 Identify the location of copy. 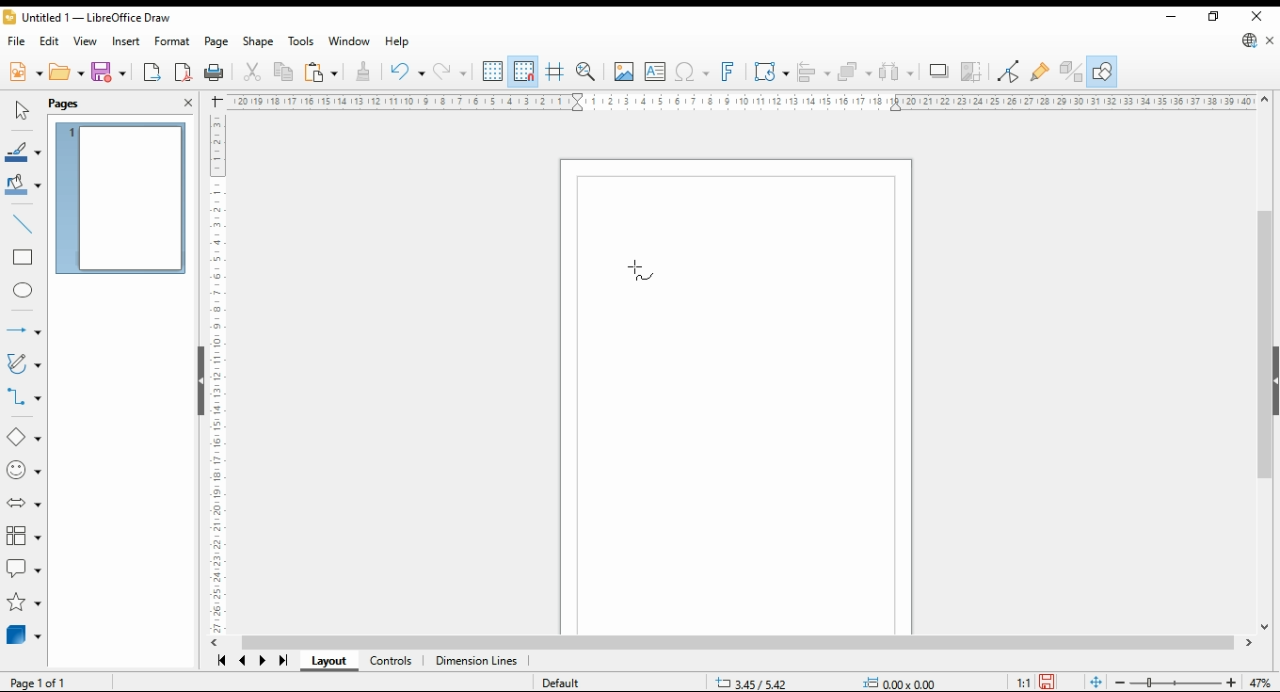
(282, 73).